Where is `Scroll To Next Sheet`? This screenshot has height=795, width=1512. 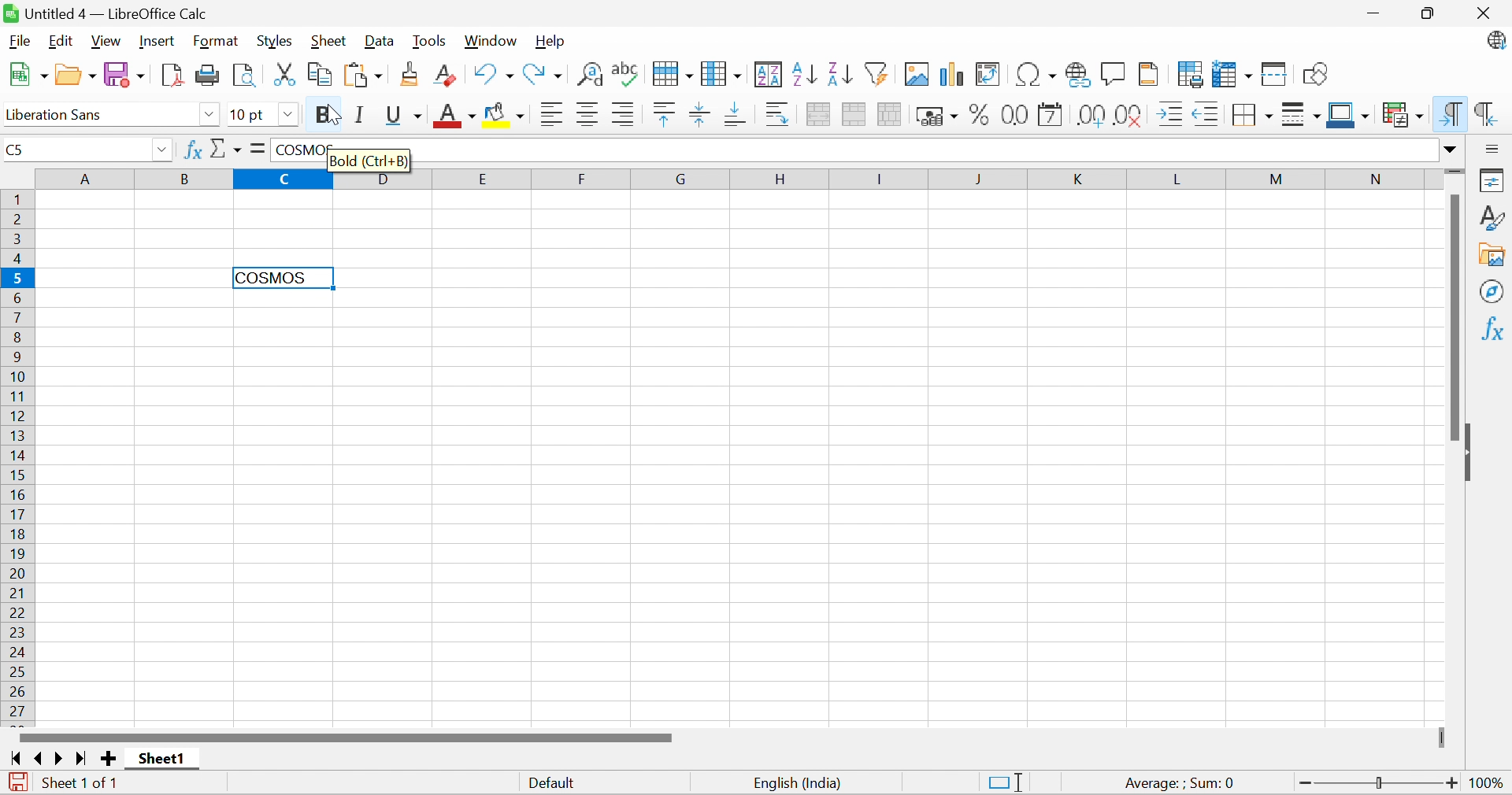
Scroll To Next Sheet is located at coordinates (61, 759).